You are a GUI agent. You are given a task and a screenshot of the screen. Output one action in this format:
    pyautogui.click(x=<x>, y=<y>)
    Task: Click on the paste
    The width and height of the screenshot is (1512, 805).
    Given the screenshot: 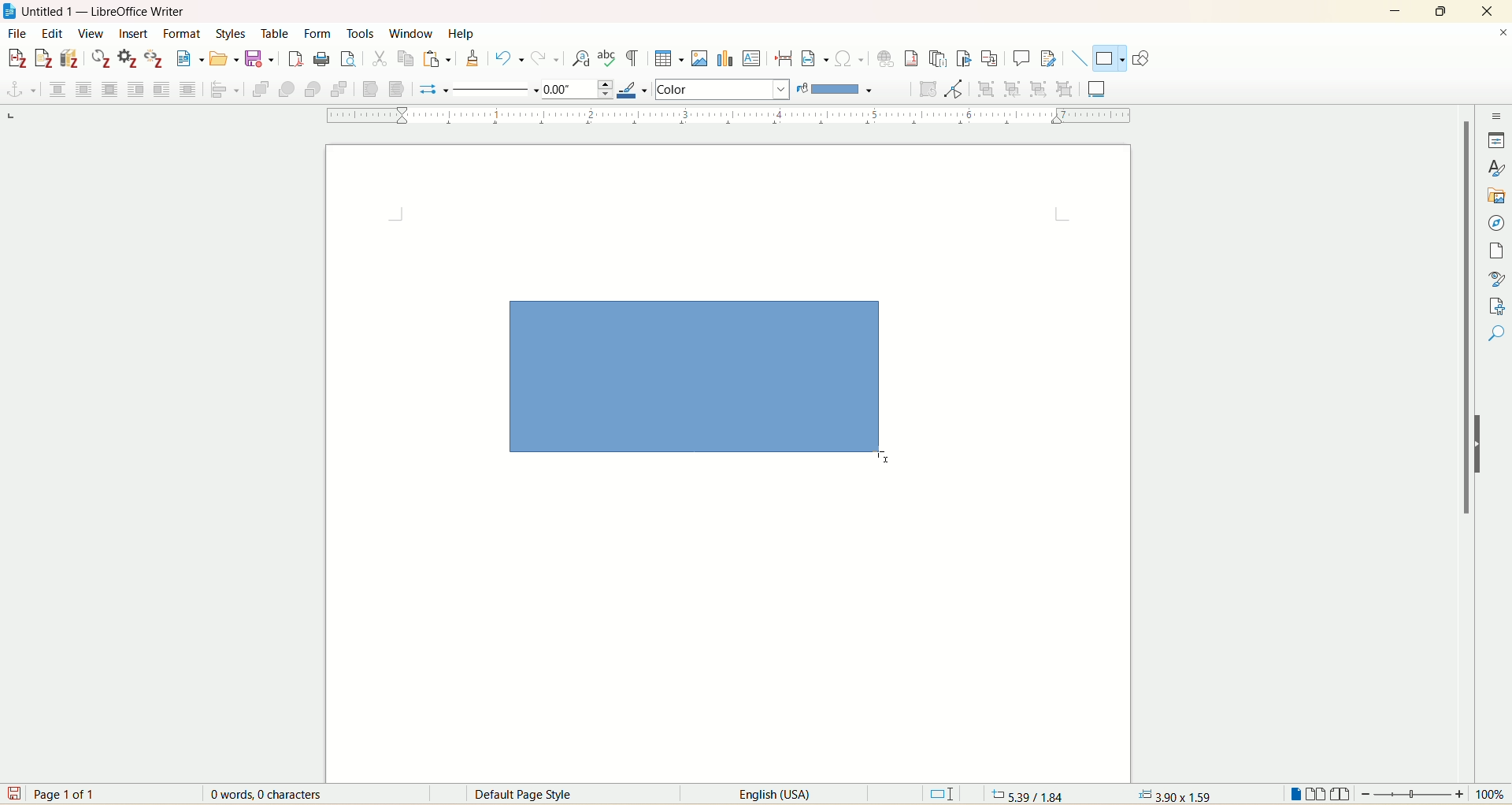 What is the action you would take?
    pyautogui.click(x=437, y=59)
    